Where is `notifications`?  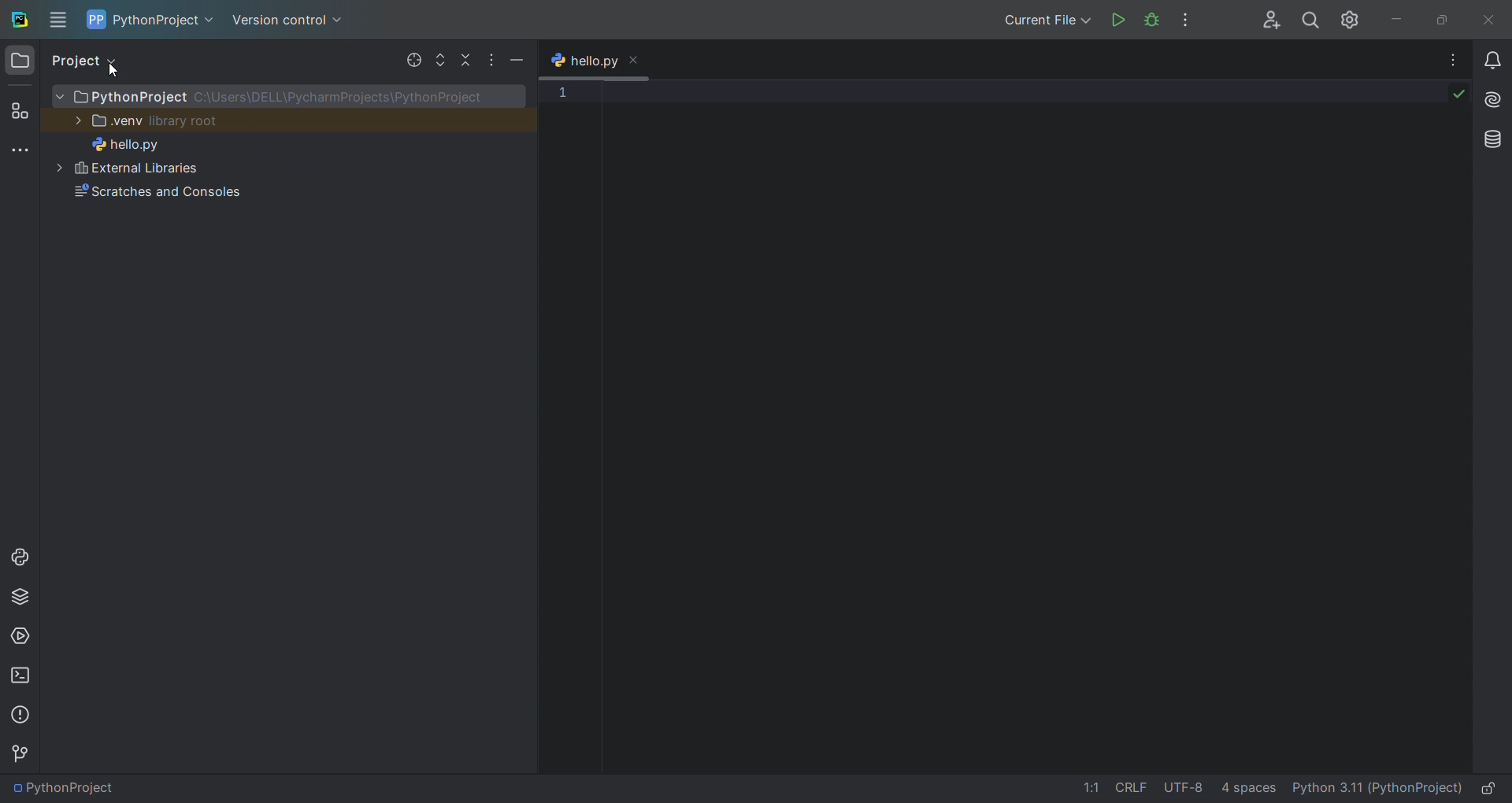
notifications is located at coordinates (1495, 57).